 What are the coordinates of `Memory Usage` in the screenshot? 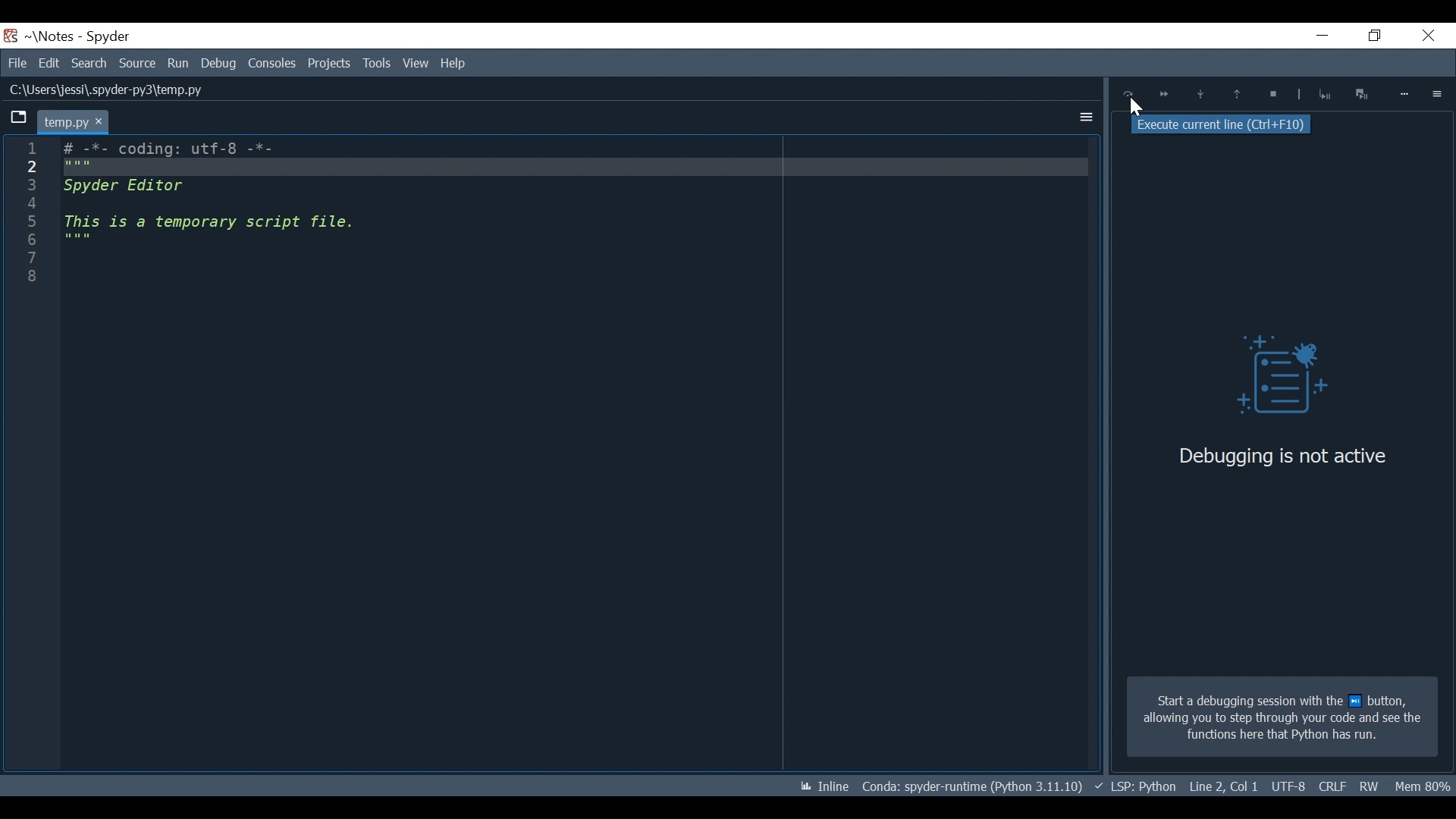 It's located at (1424, 784).